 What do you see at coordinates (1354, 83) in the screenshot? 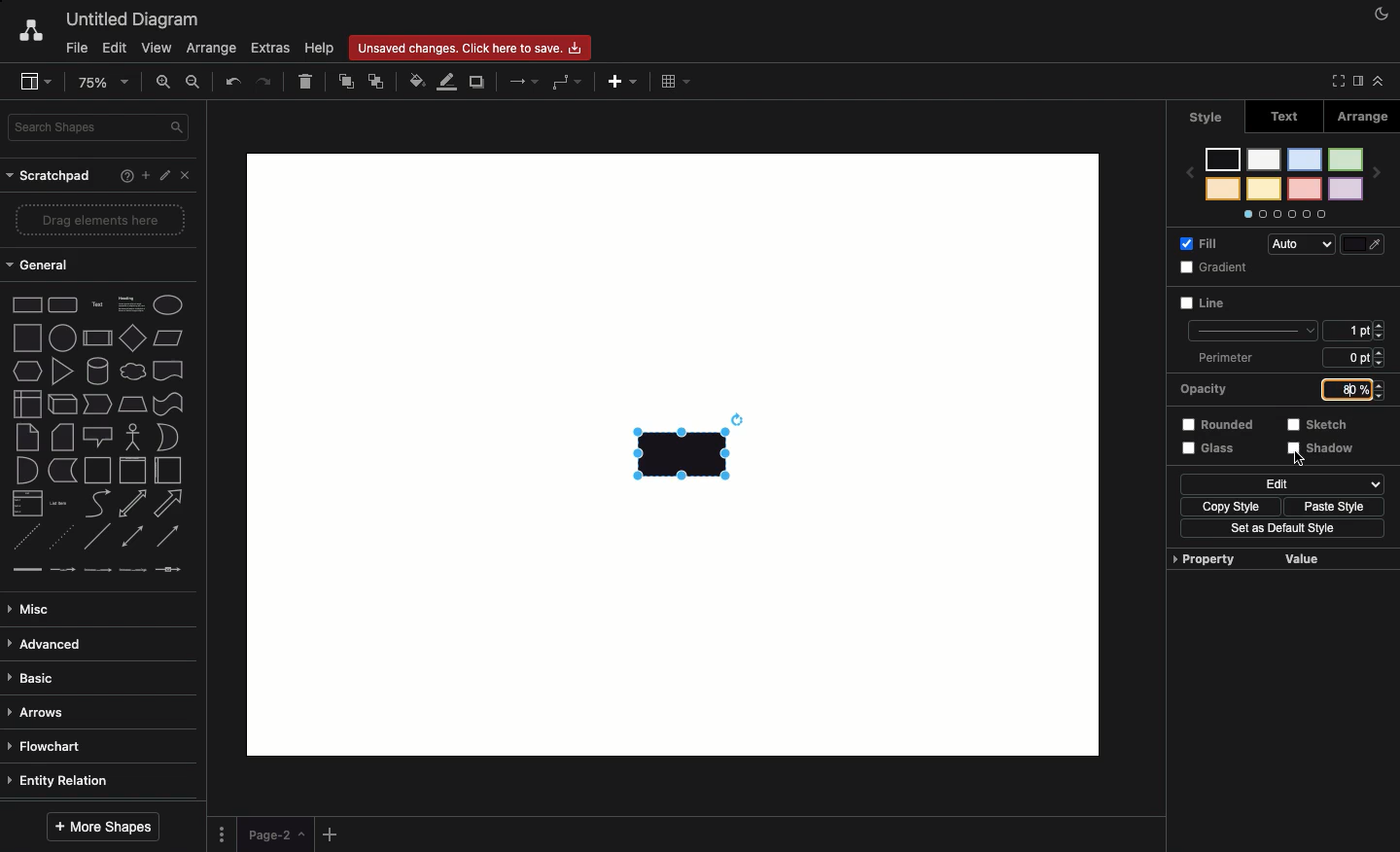
I see `Sidebar` at bounding box center [1354, 83].